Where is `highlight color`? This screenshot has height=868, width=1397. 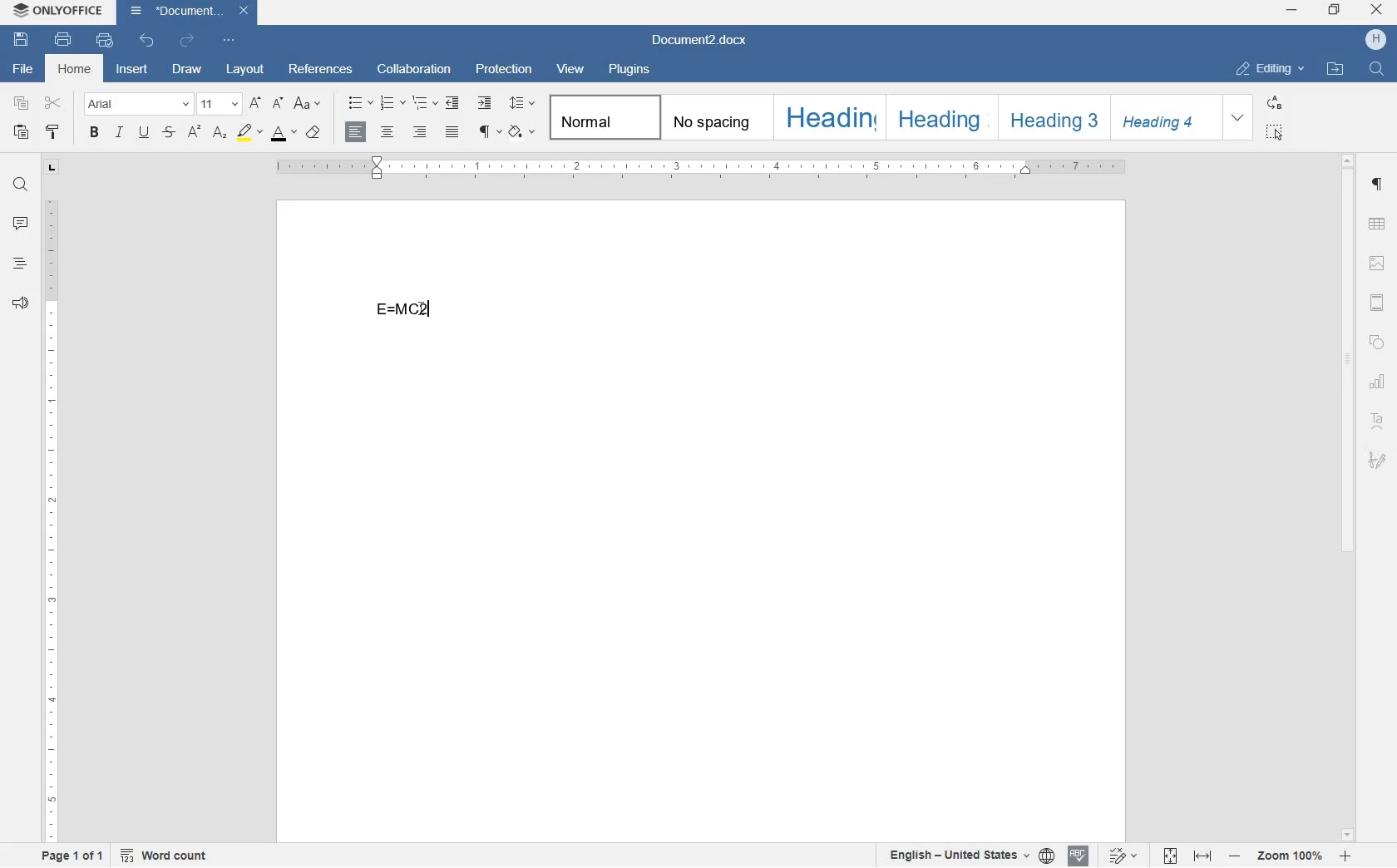
highlight color is located at coordinates (249, 133).